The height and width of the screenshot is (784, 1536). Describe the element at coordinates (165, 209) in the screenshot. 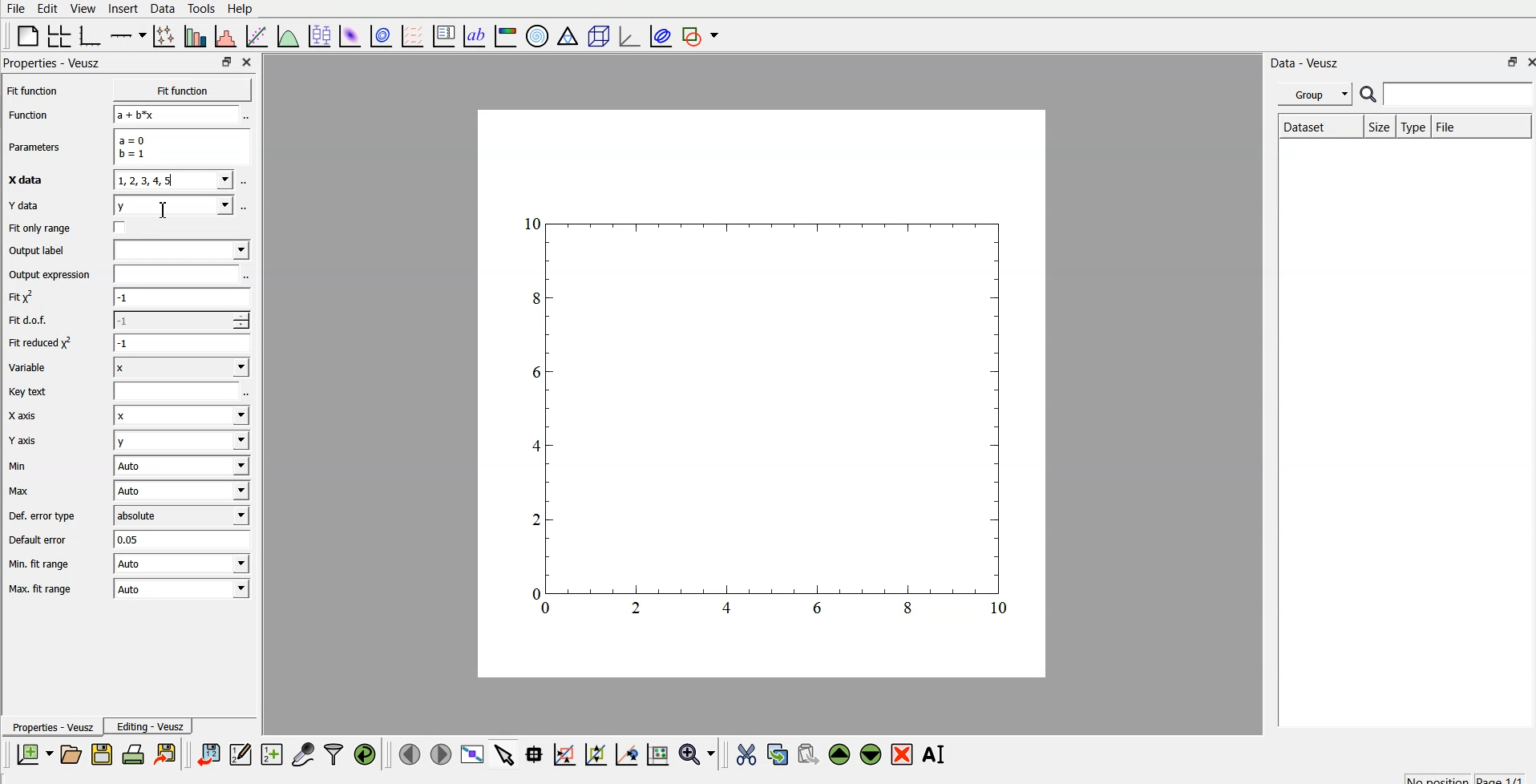

I see `cursor` at that location.